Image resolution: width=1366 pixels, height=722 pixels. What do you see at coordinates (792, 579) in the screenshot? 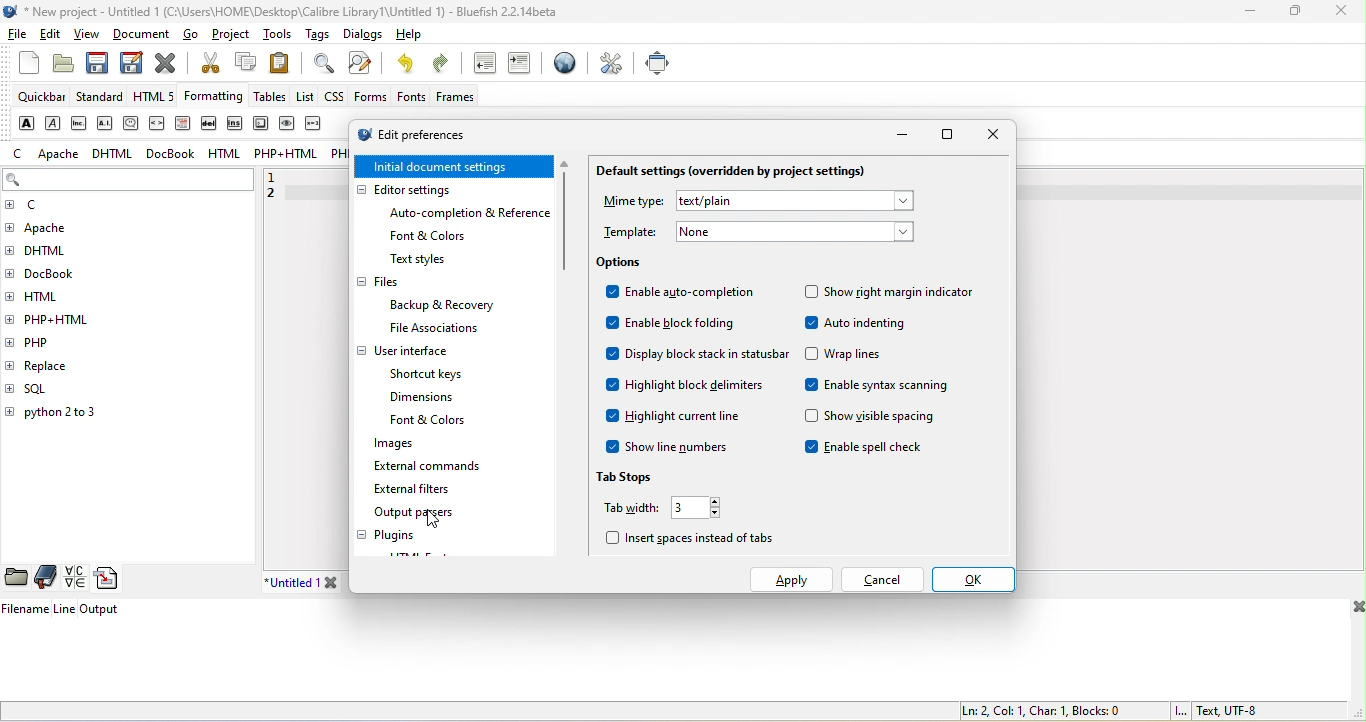
I see `apply` at bounding box center [792, 579].